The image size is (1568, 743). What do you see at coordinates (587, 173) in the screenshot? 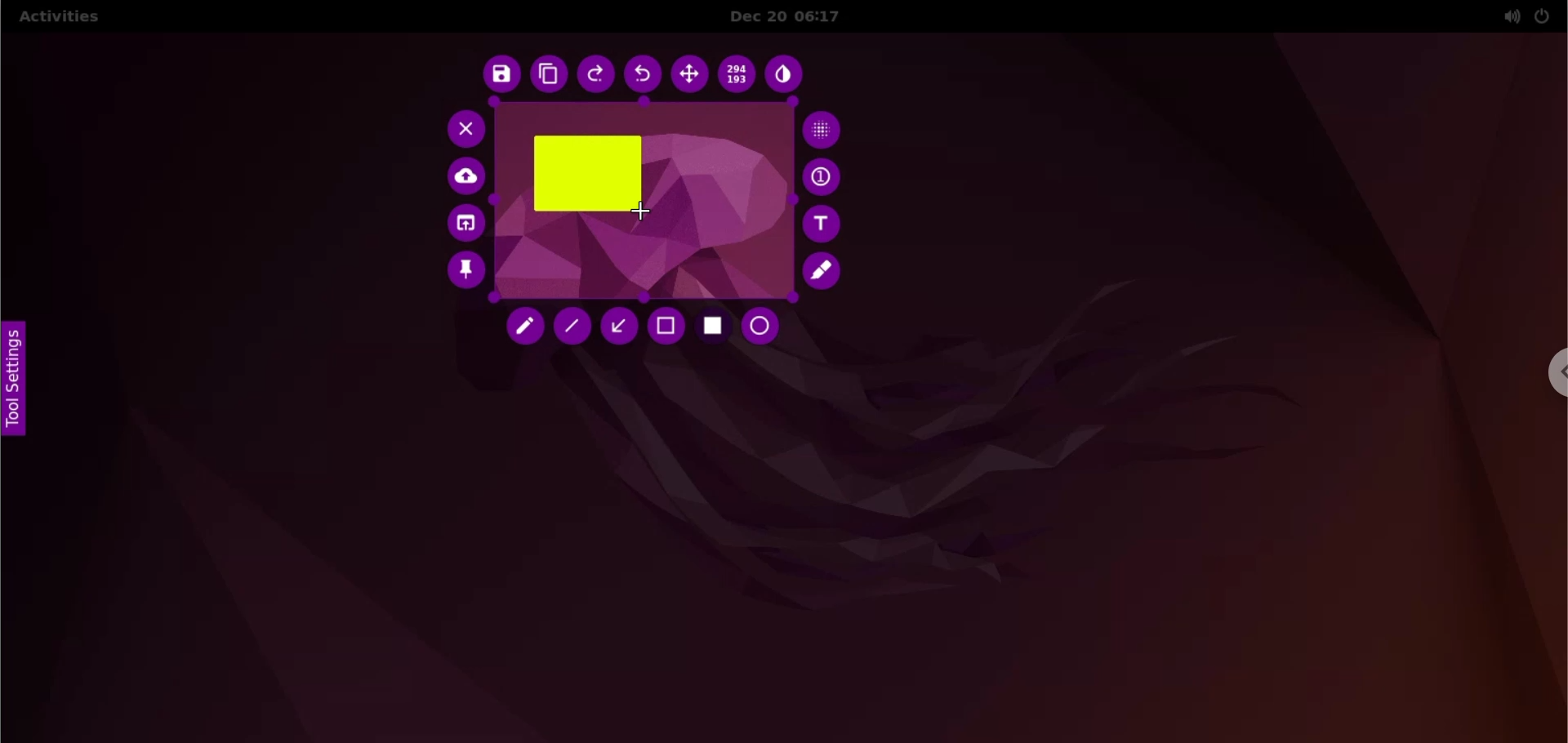
I see `rectangle` at bounding box center [587, 173].